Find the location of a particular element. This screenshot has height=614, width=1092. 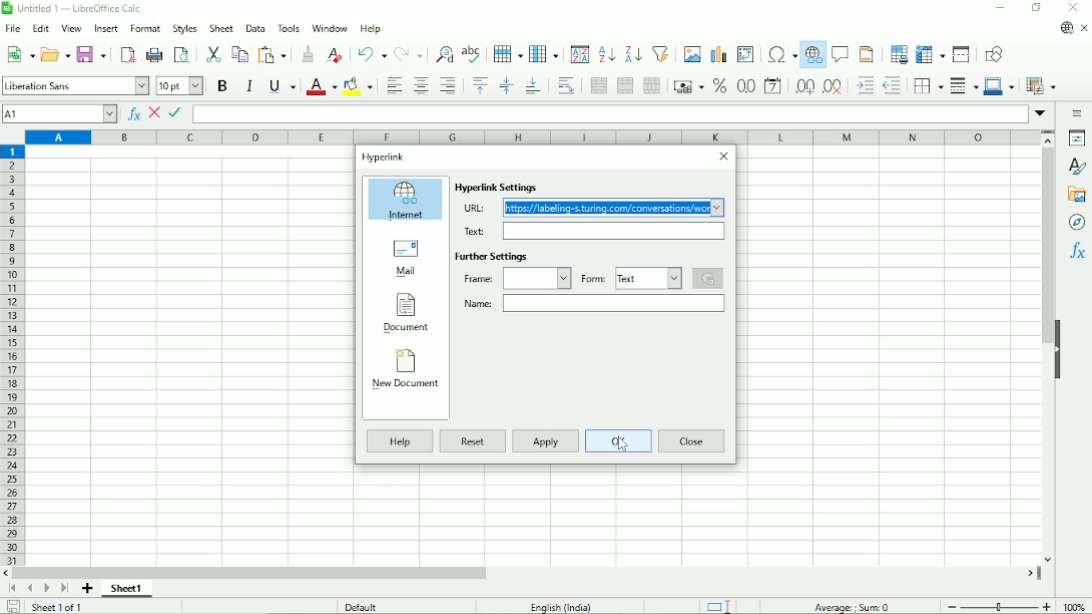

Merge cells is located at coordinates (626, 86).